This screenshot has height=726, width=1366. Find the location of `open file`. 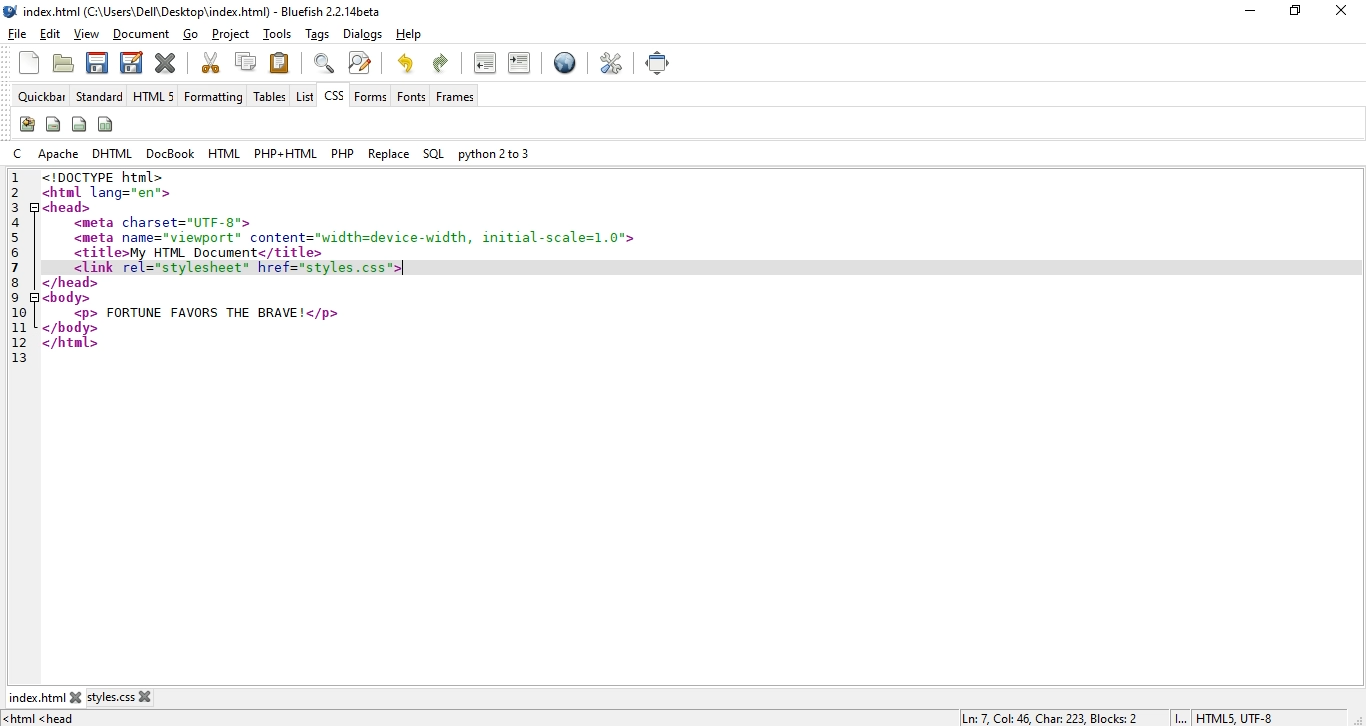

open file is located at coordinates (62, 65).